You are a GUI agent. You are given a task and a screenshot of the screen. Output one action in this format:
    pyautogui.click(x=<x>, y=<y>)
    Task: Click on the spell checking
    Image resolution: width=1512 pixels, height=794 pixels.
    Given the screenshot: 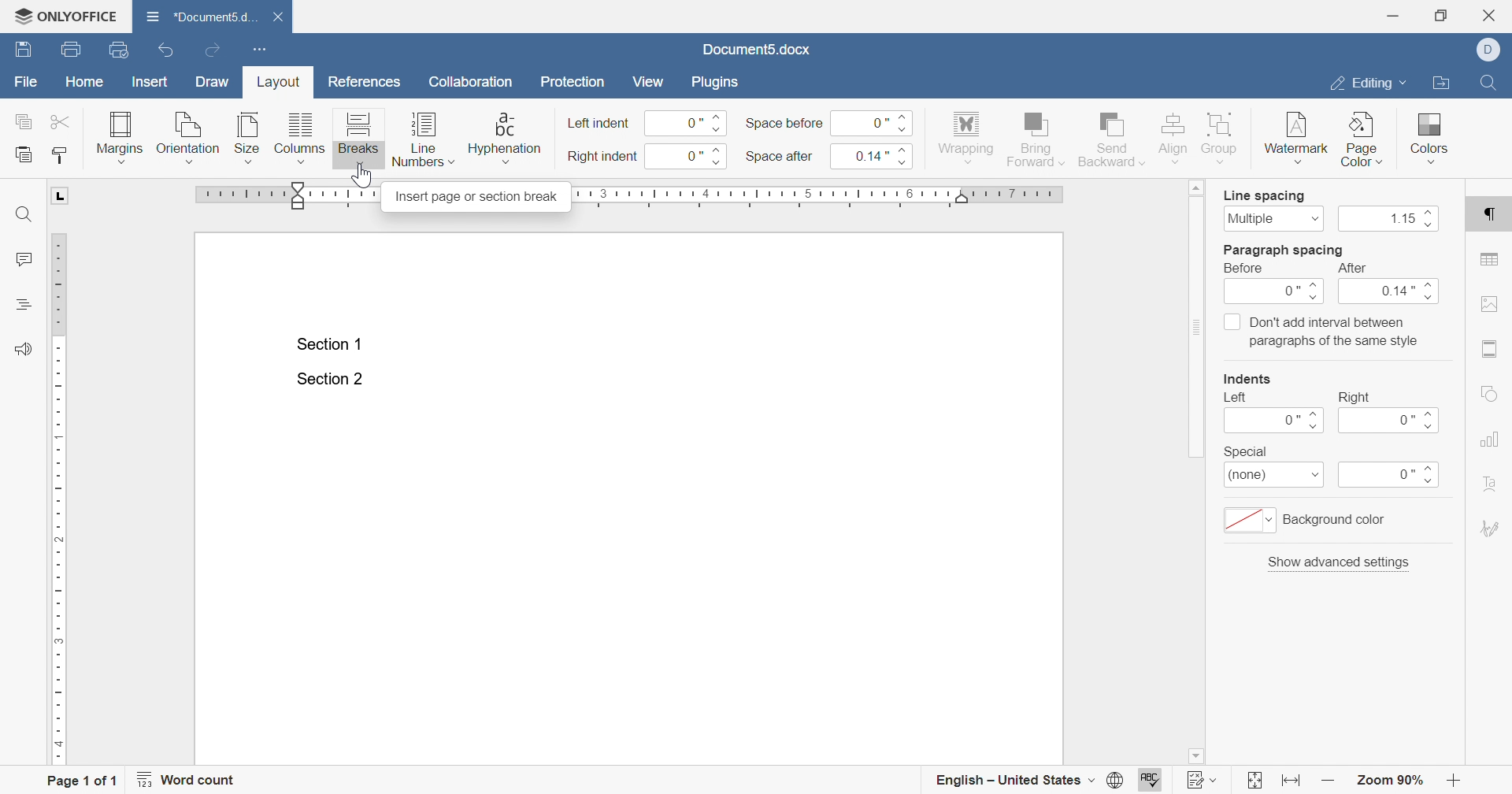 What is the action you would take?
    pyautogui.click(x=1153, y=779)
    